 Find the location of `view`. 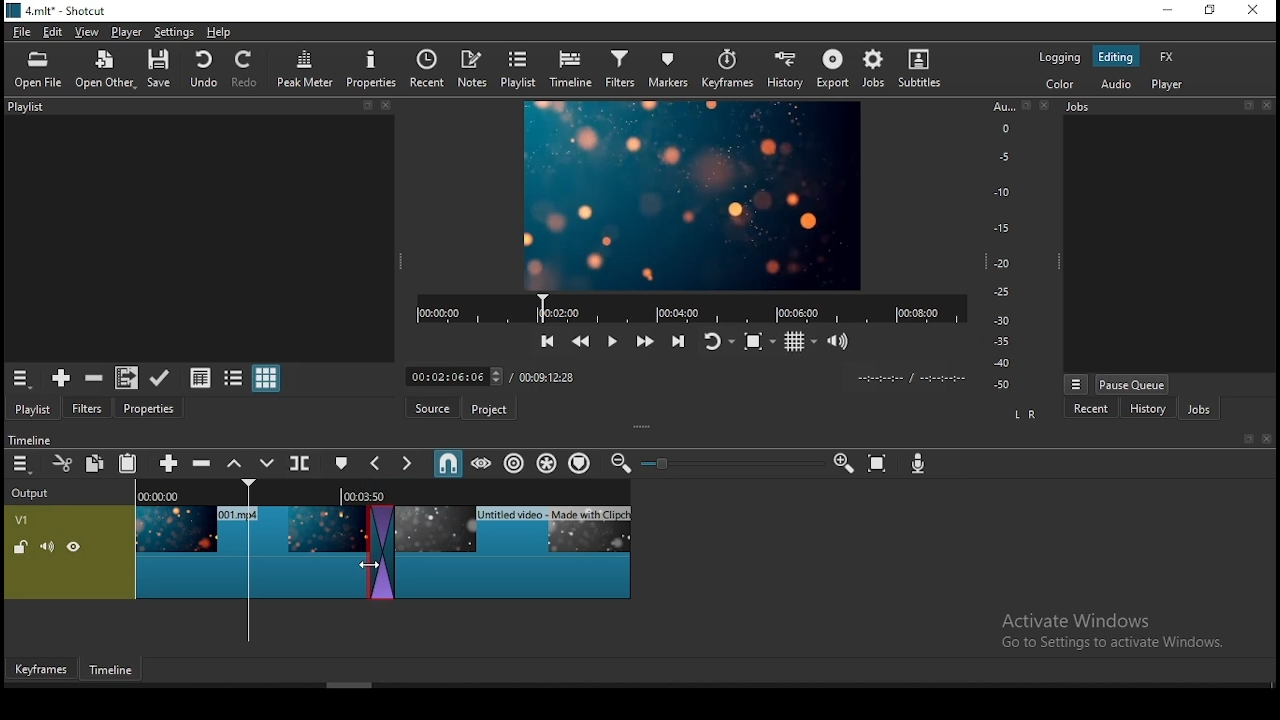

view is located at coordinates (85, 31).